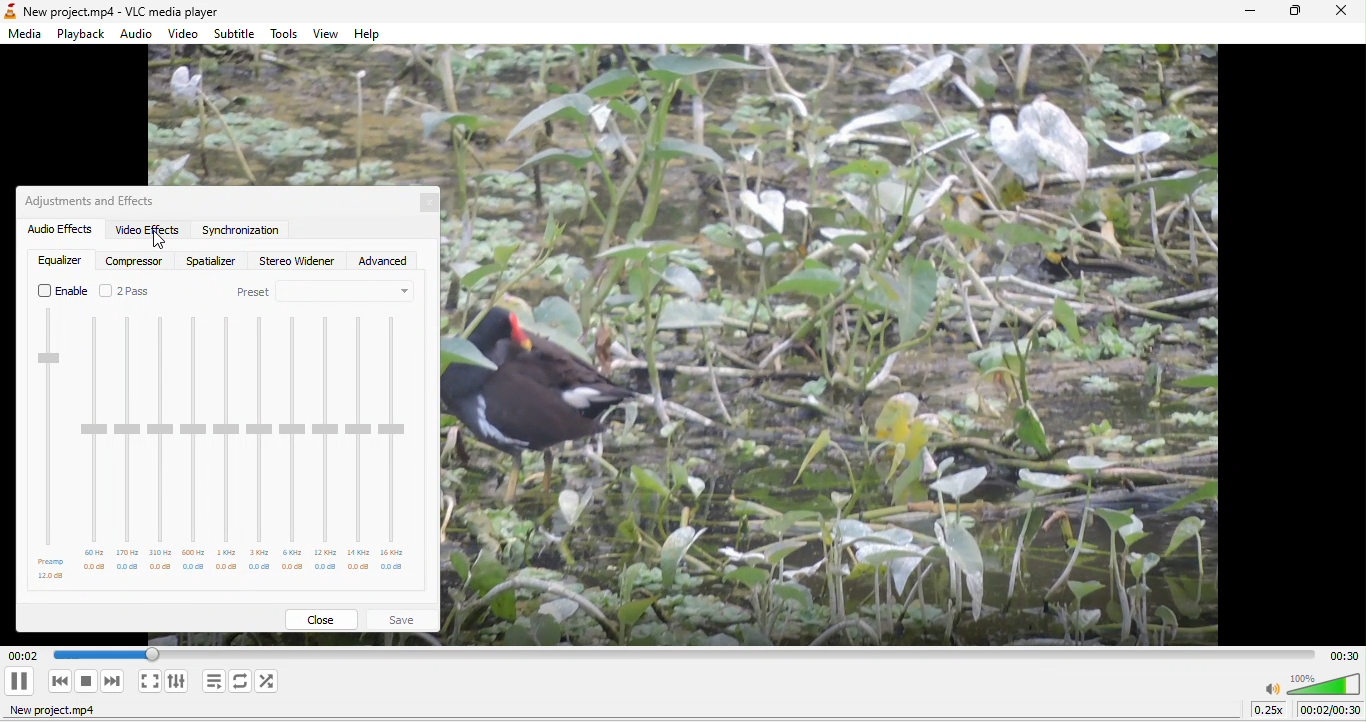  Describe the element at coordinates (59, 292) in the screenshot. I see `Enable` at that location.